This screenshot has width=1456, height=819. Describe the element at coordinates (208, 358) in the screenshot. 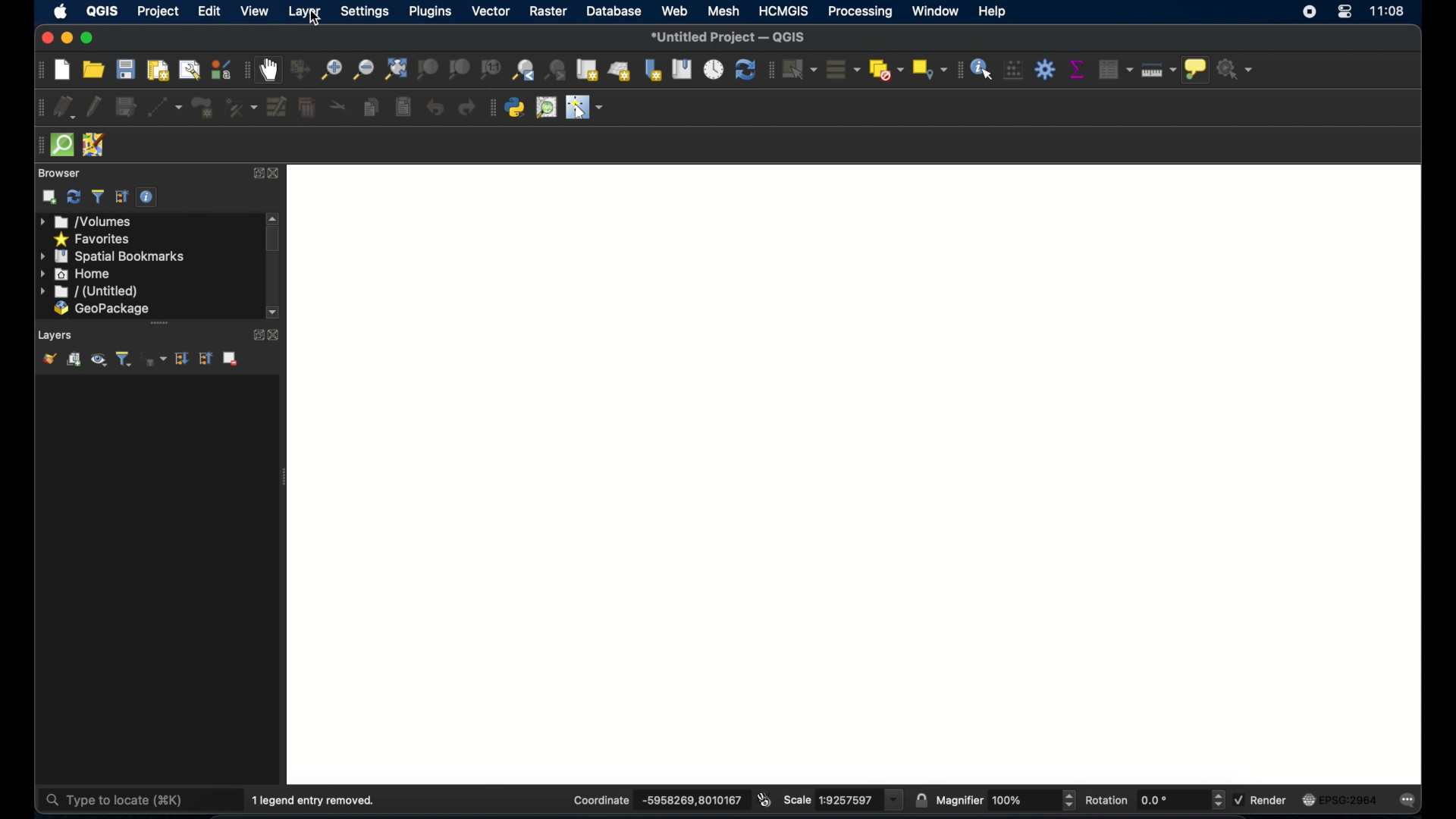

I see `collapse all` at that location.